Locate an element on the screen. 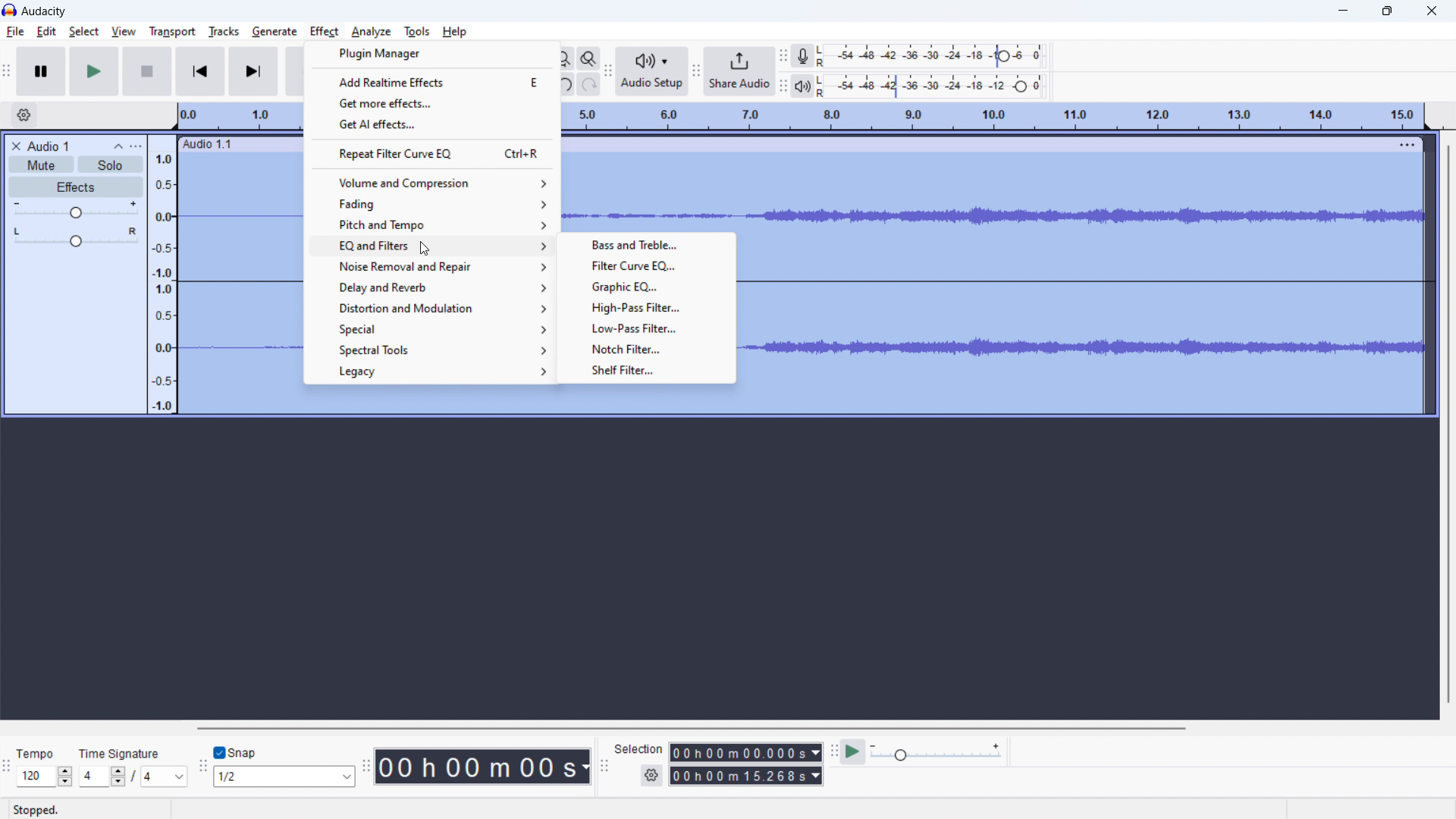 The image size is (1456, 819). 00h00m15.268s(end time) is located at coordinates (745, 776).